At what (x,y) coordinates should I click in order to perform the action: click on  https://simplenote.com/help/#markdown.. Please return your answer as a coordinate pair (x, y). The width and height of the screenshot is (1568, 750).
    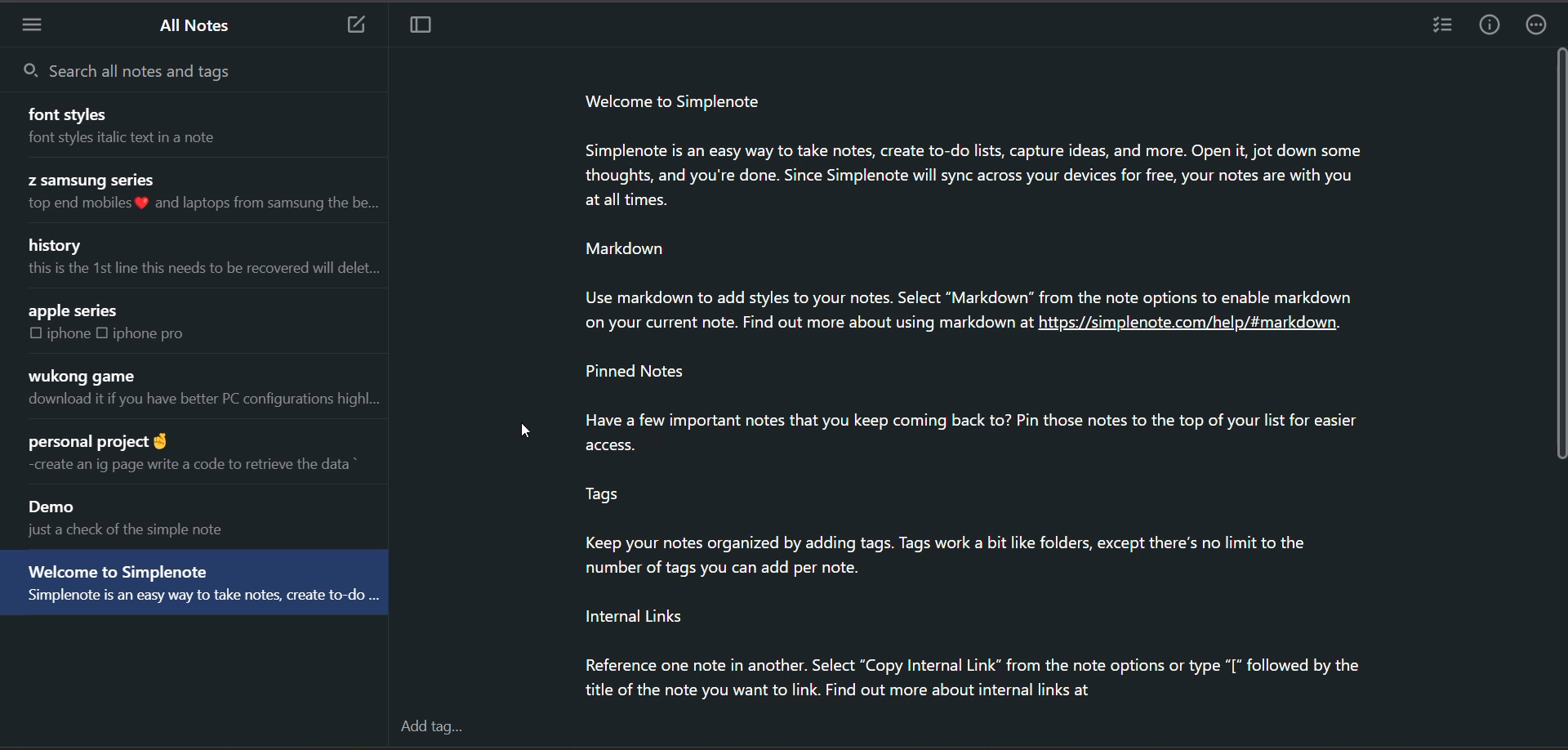
    Looking at the image, I should click on (1209, 333).